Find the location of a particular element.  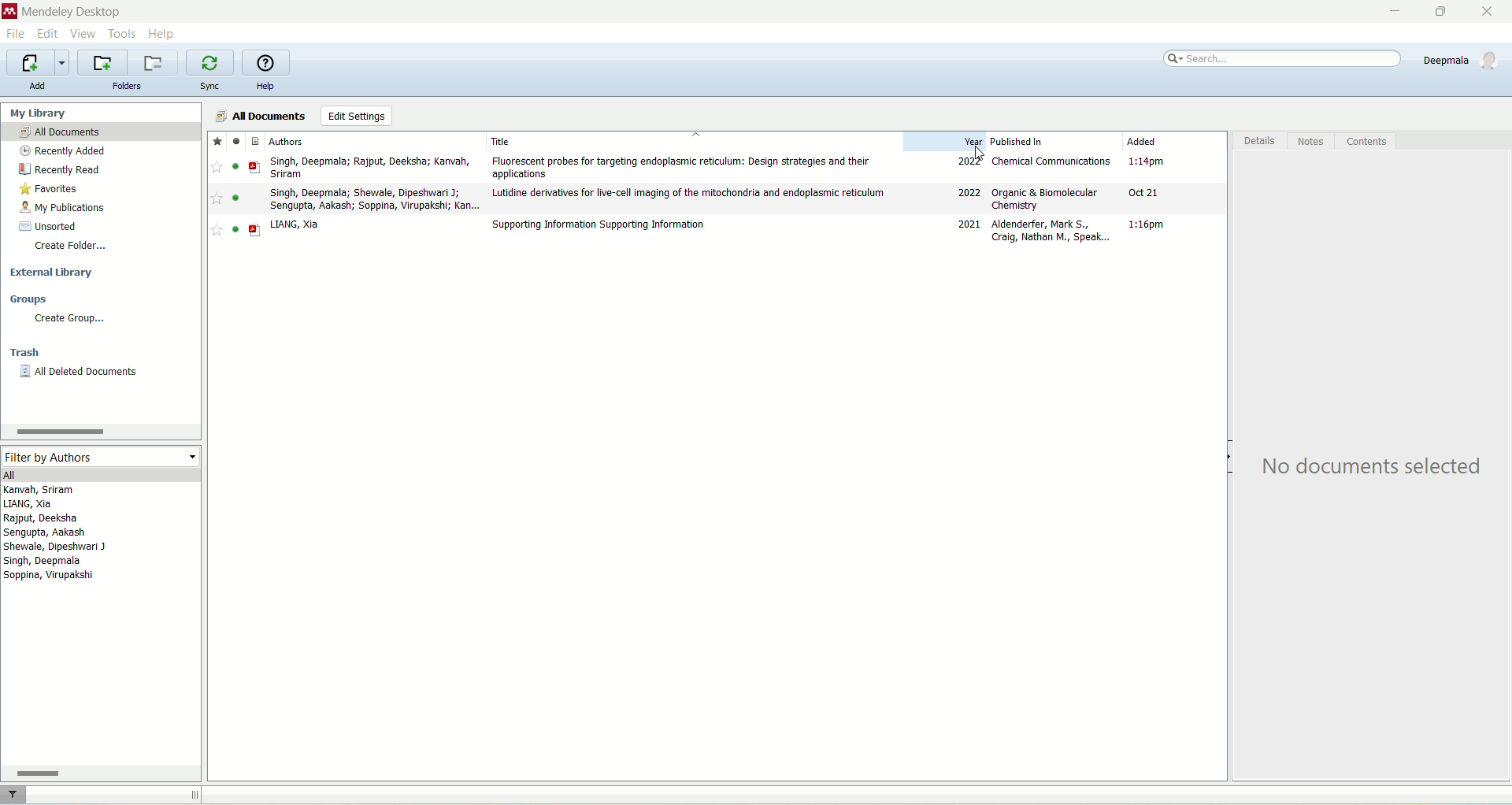

Lutidine derivatives for live-cell imaging of the mitochondria and endoplasmic reticulum is located at coordinates (685, 192).